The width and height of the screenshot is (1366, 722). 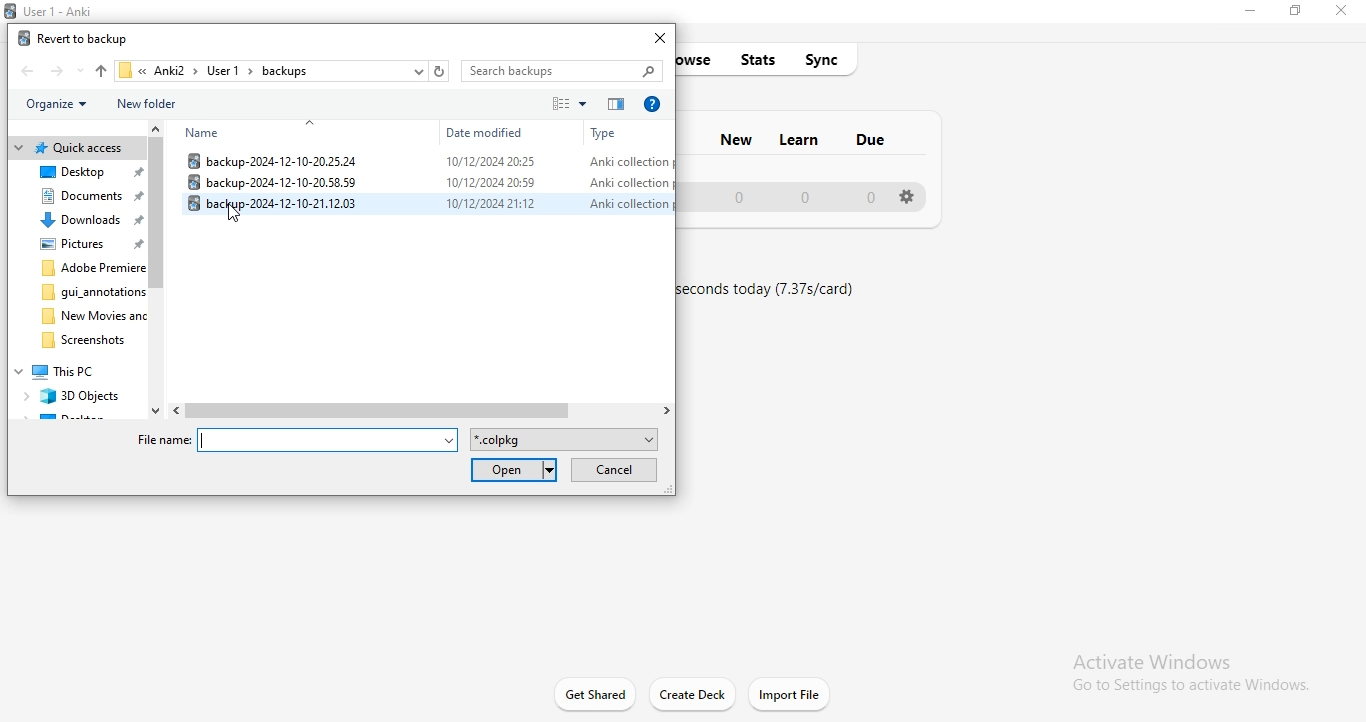 I want to click on close, so click(x=661, y=38).